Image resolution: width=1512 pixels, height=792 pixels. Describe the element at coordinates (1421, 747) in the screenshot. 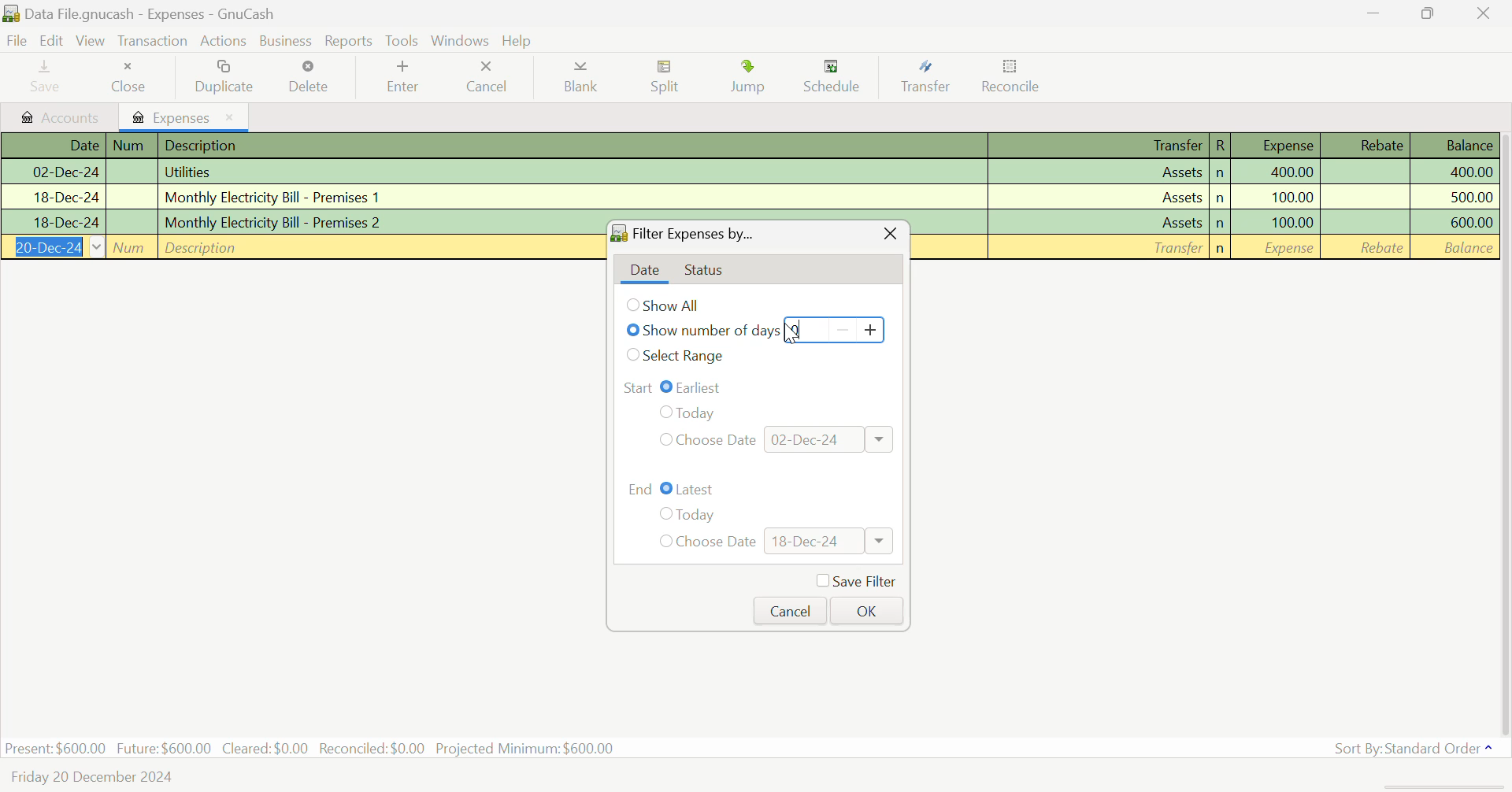

I see `Sort By: Standard Order` at that location.